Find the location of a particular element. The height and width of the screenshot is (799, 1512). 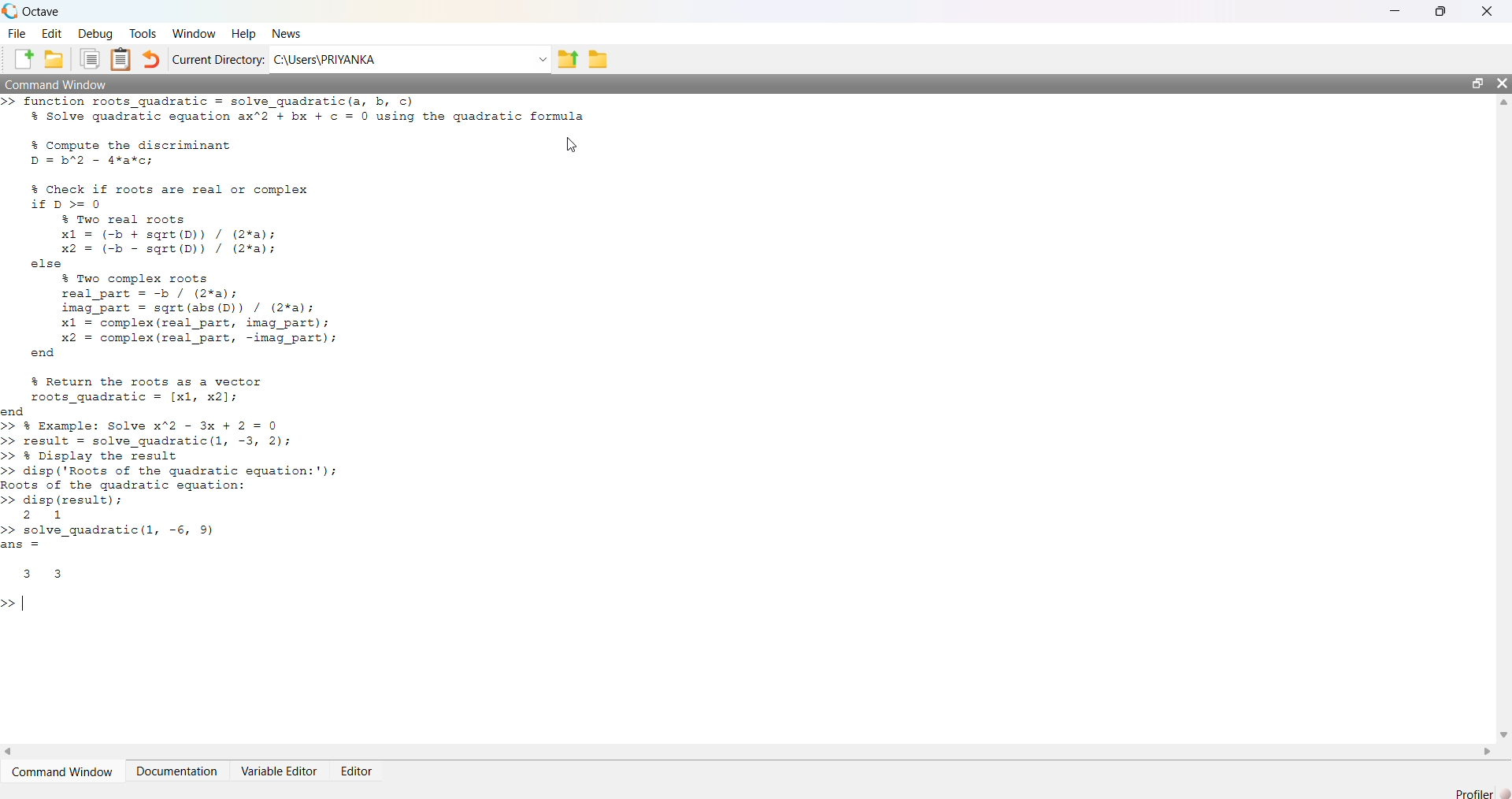

Maximize / Restore is located at coordinates (1480, 84).